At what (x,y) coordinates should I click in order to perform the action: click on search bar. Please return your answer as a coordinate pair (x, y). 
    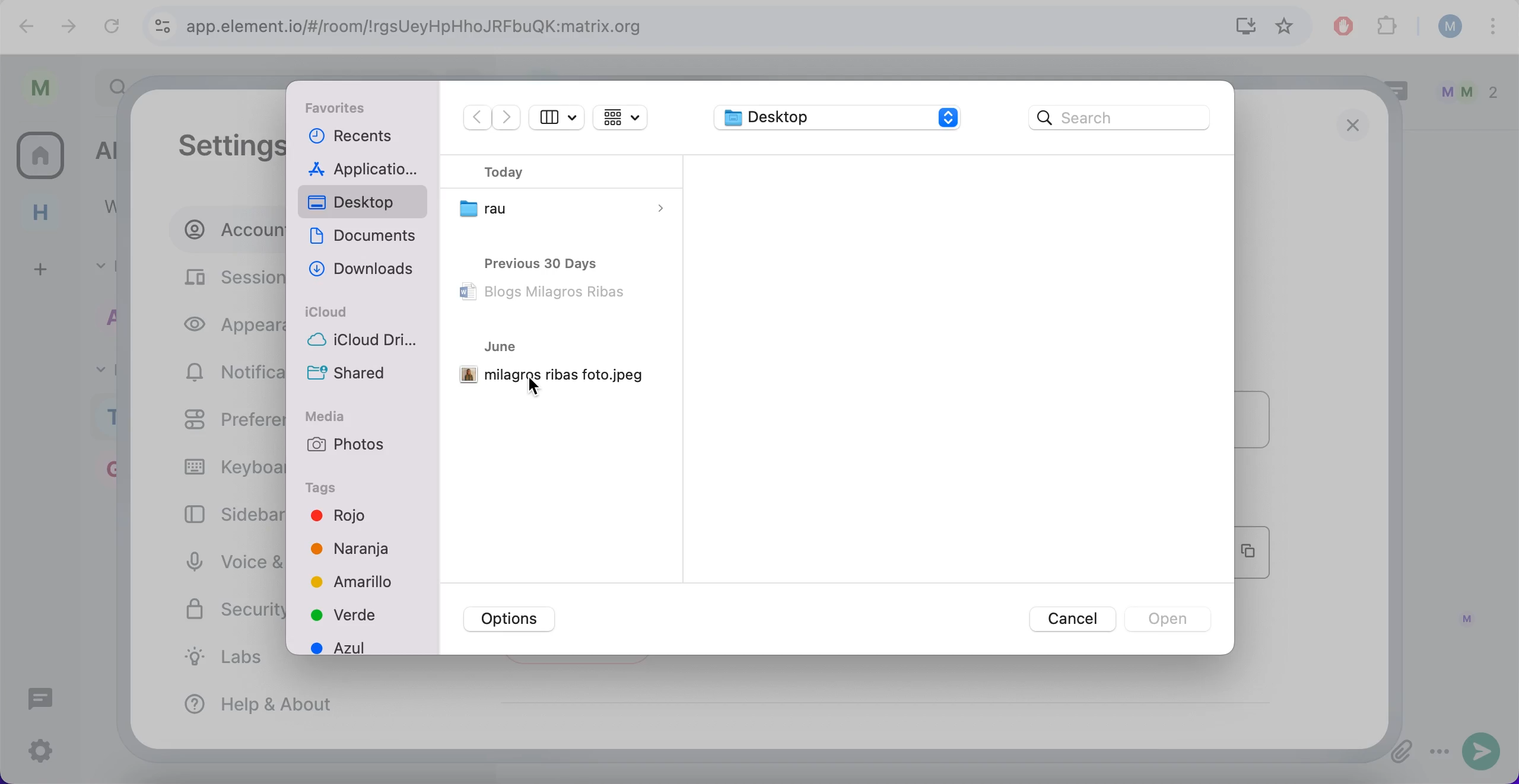
    Looking at the image, I should click on (724, 26).